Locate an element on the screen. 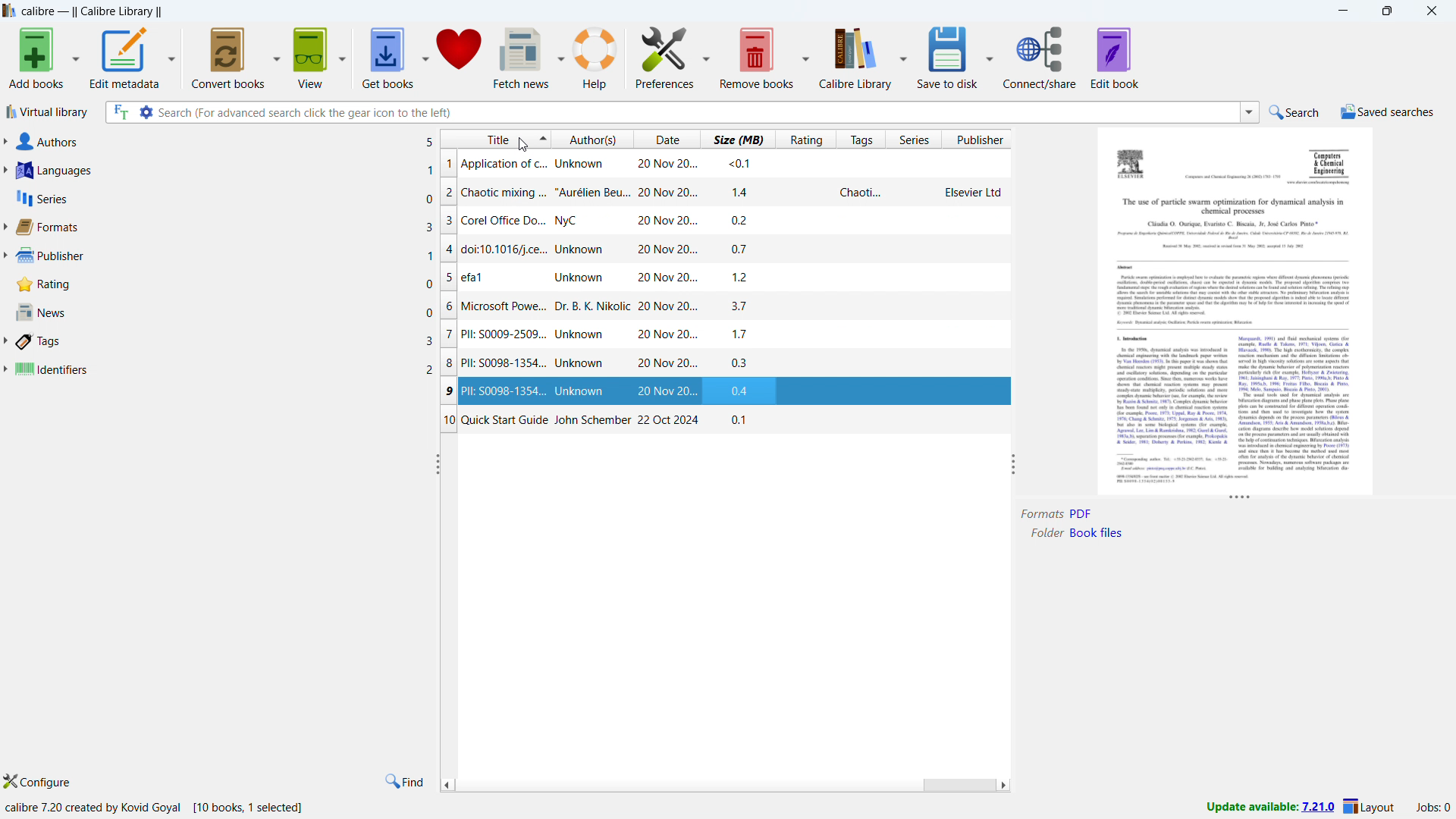  2 is located at coordinates (449, 193).